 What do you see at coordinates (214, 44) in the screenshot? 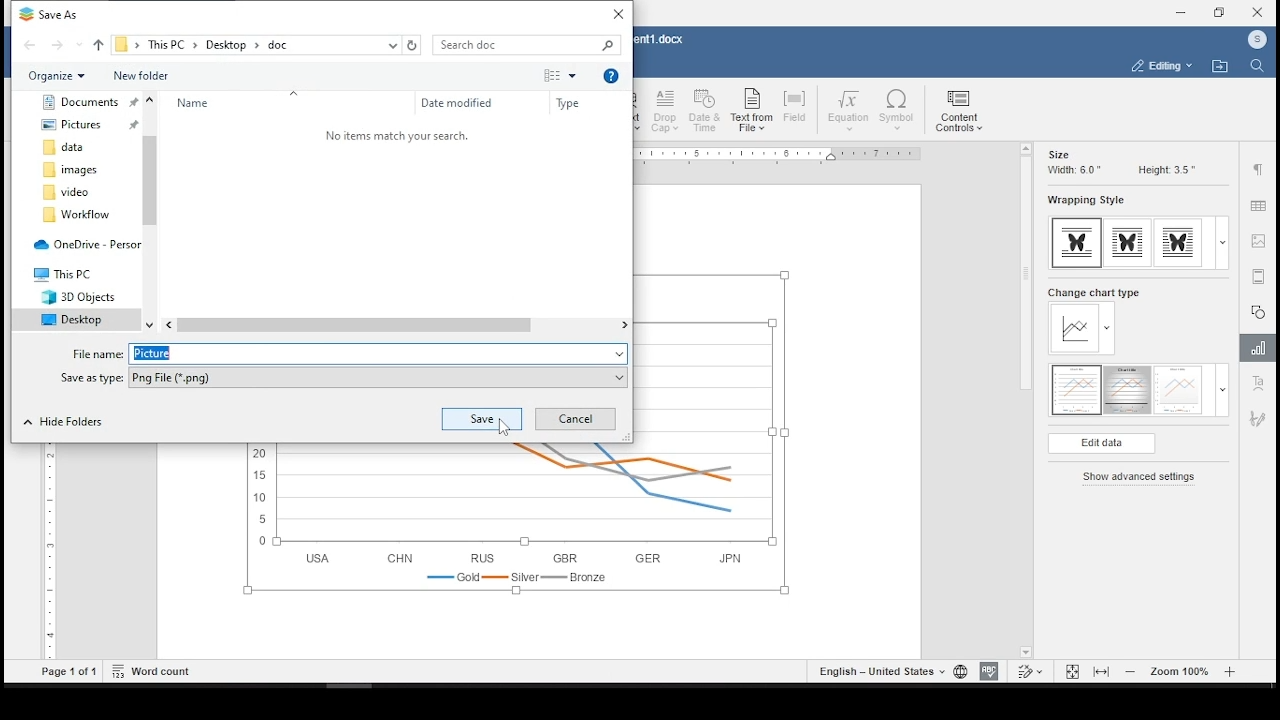
I see `This PC>Desktop>Doc` at bounding box center [214, 44].